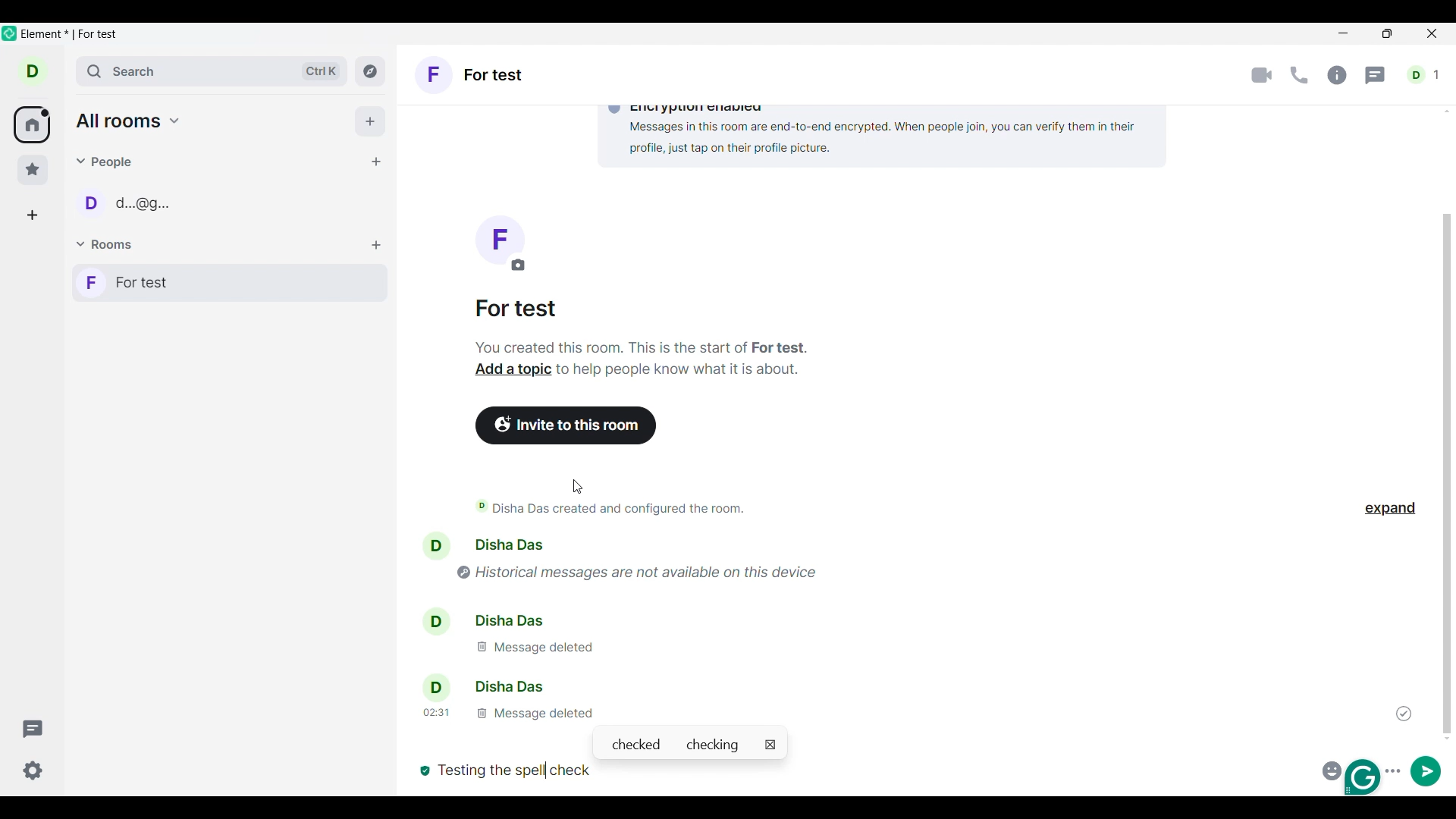 The height and width of the screenshot is (819, 1456). I want to click on historical messages are not available on this device, so click(649, 570).